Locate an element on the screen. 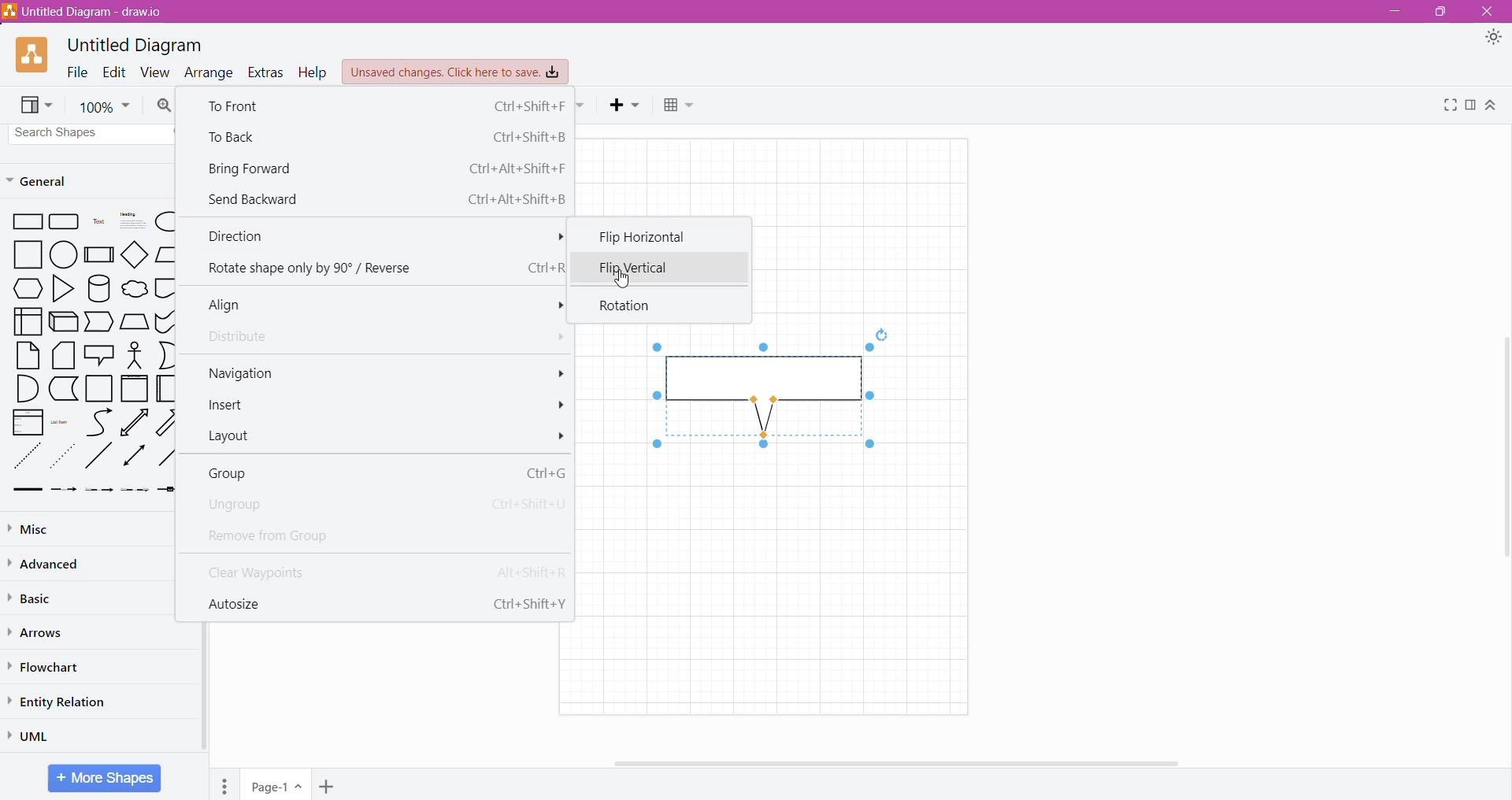  View is located at coordinates (38, 106).